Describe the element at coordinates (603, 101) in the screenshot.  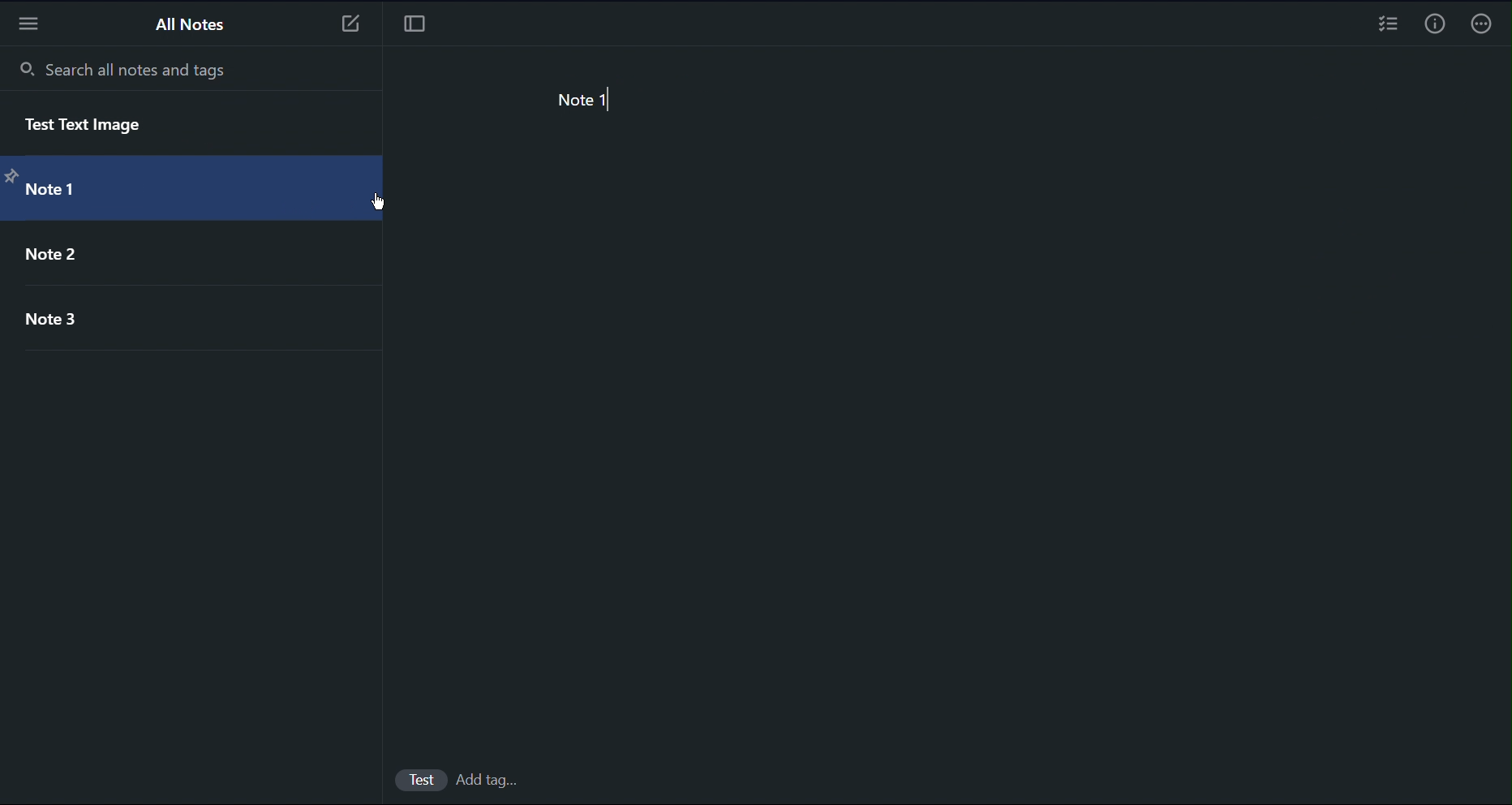
I see `Note 1|` at that location.